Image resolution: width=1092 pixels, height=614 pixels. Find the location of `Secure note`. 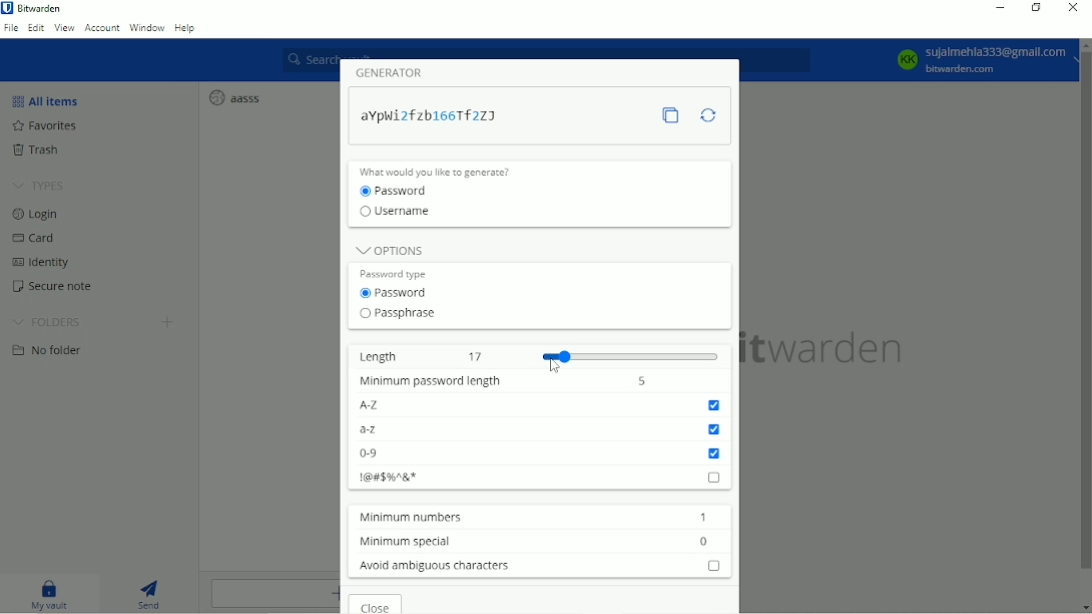

Secure note is located at coordinates (54, 288).